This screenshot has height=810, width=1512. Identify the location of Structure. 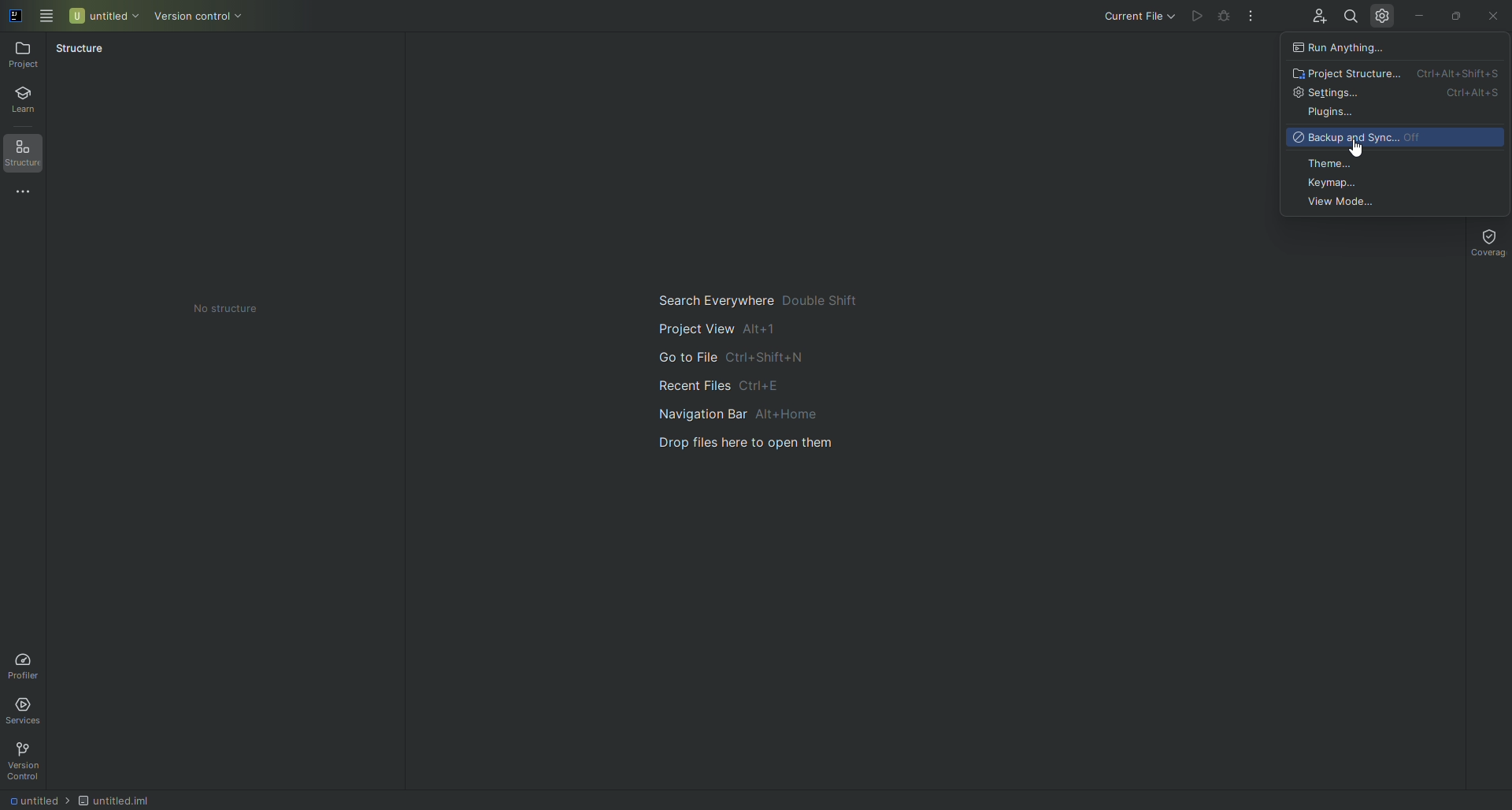
(80, 48).